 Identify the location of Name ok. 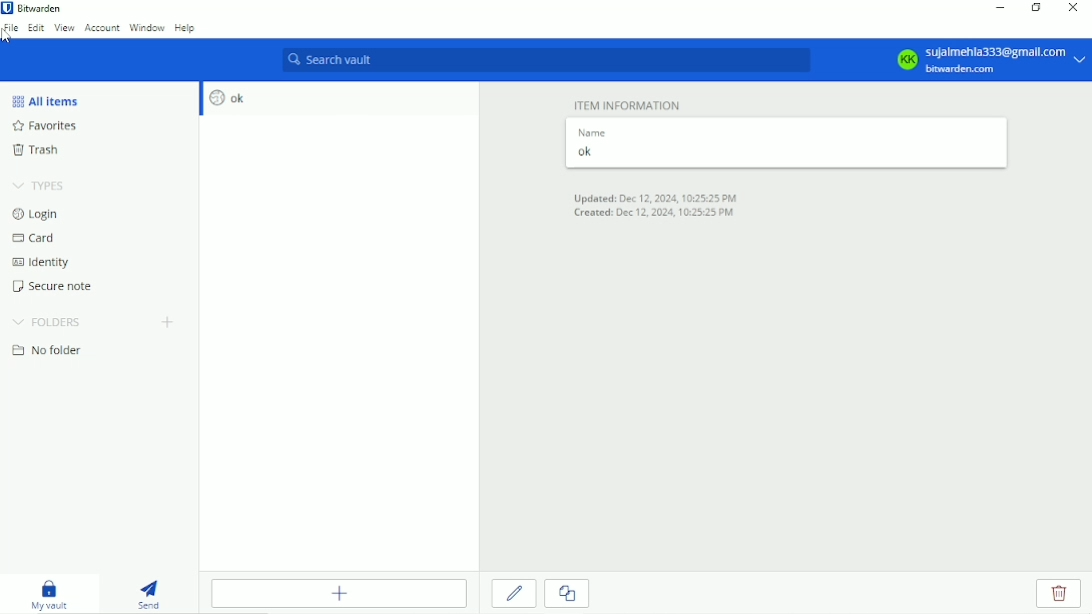
(593, 145).